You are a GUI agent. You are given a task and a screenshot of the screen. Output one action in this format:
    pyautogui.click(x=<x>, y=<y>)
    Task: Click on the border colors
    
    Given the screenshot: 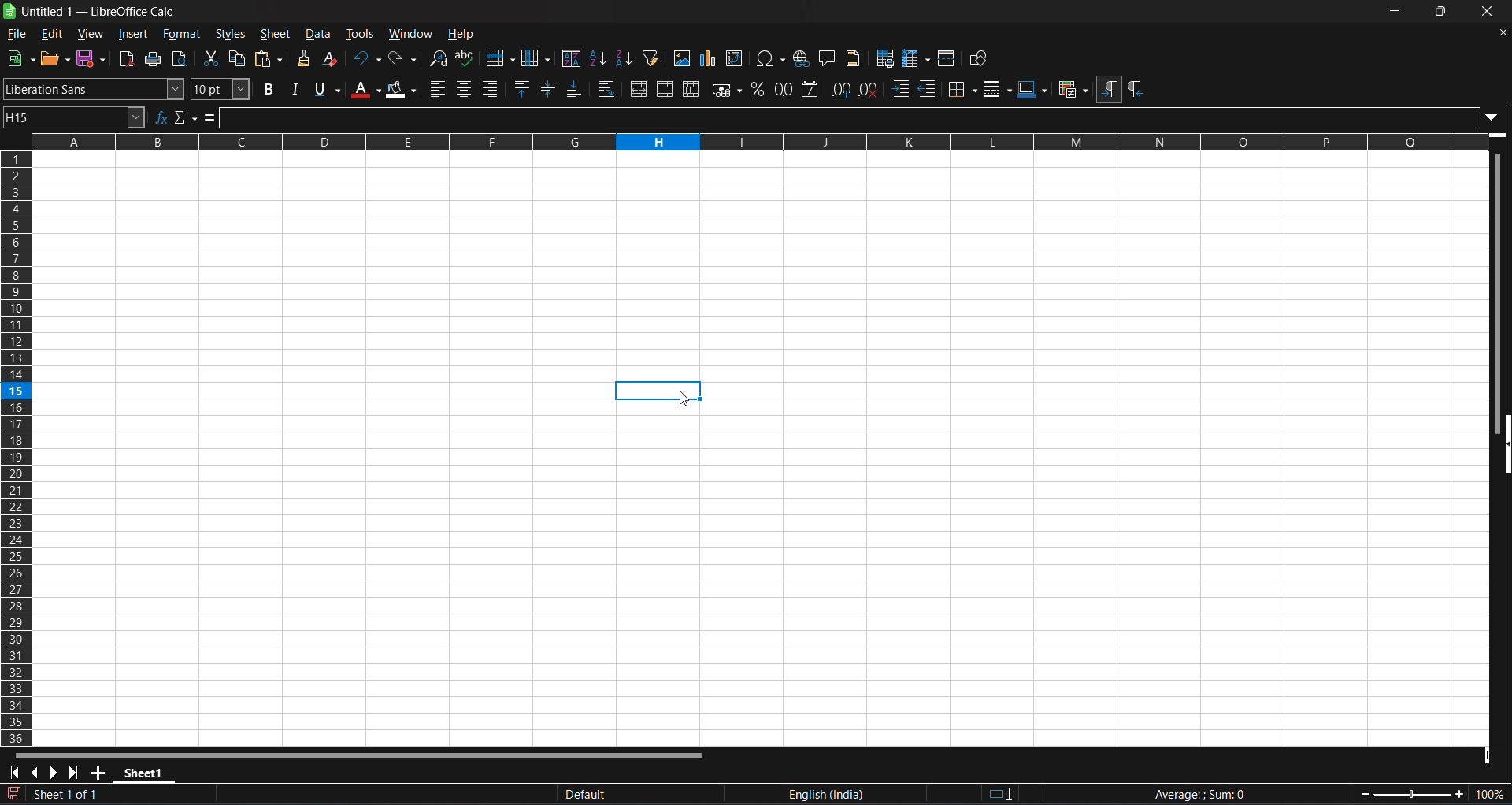 What is the action you would take?
    pyautogui.click(x=1031, y=89)
    